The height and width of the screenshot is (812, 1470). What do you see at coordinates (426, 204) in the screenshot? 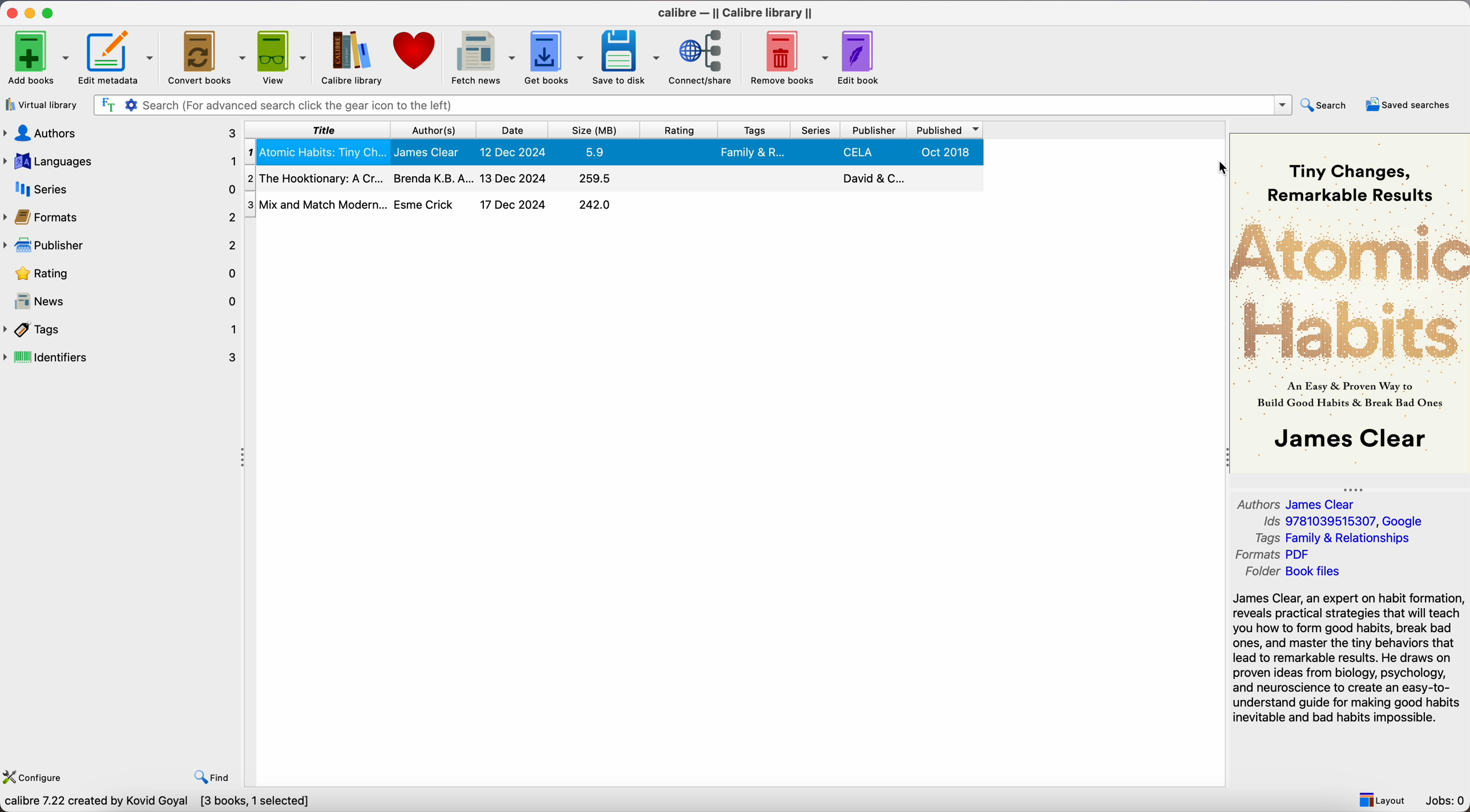
I see `Esme Crick` at bounding box center [426, 204].